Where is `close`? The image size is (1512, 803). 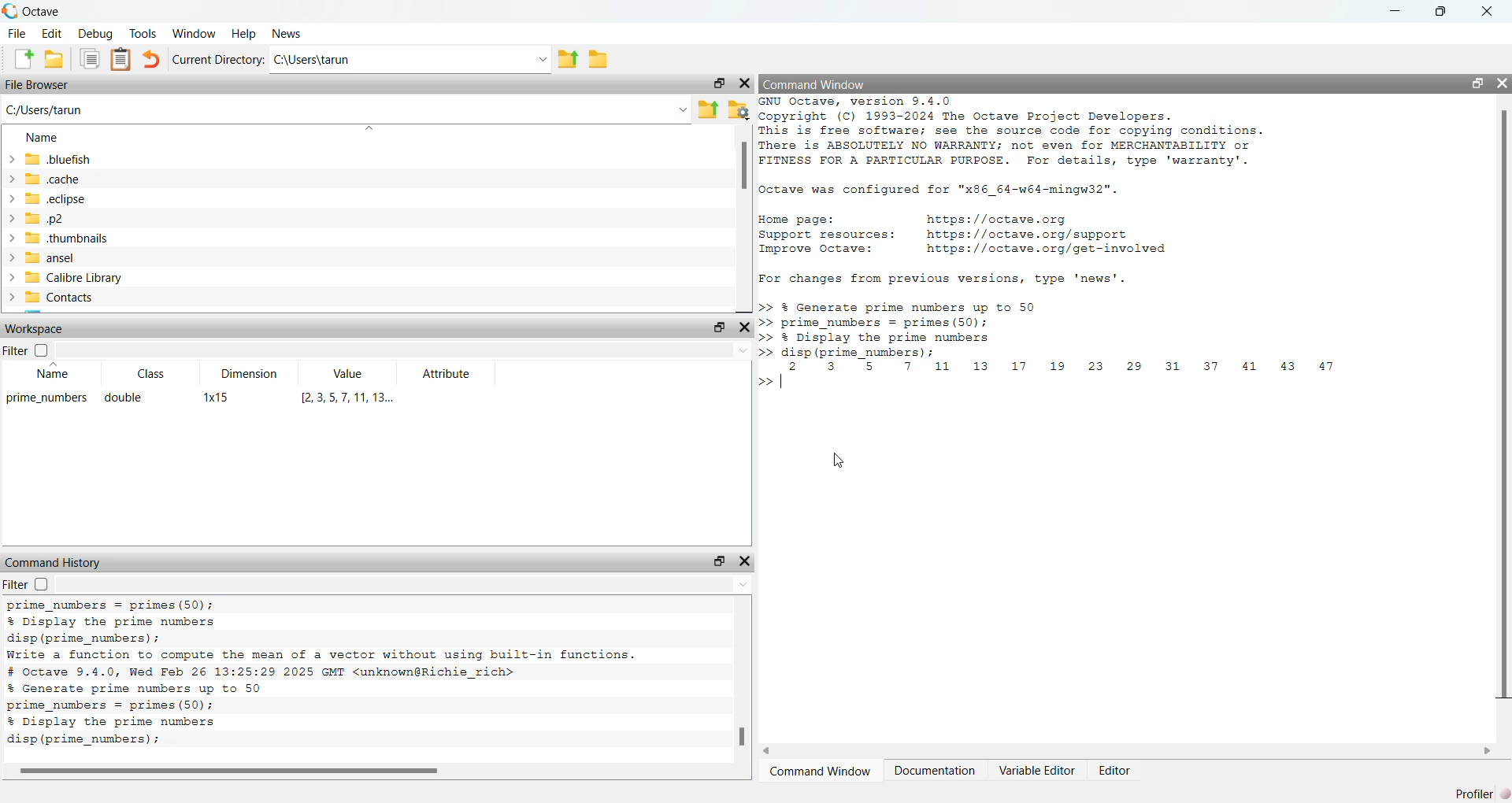 close is located at coordinates (745, 561).